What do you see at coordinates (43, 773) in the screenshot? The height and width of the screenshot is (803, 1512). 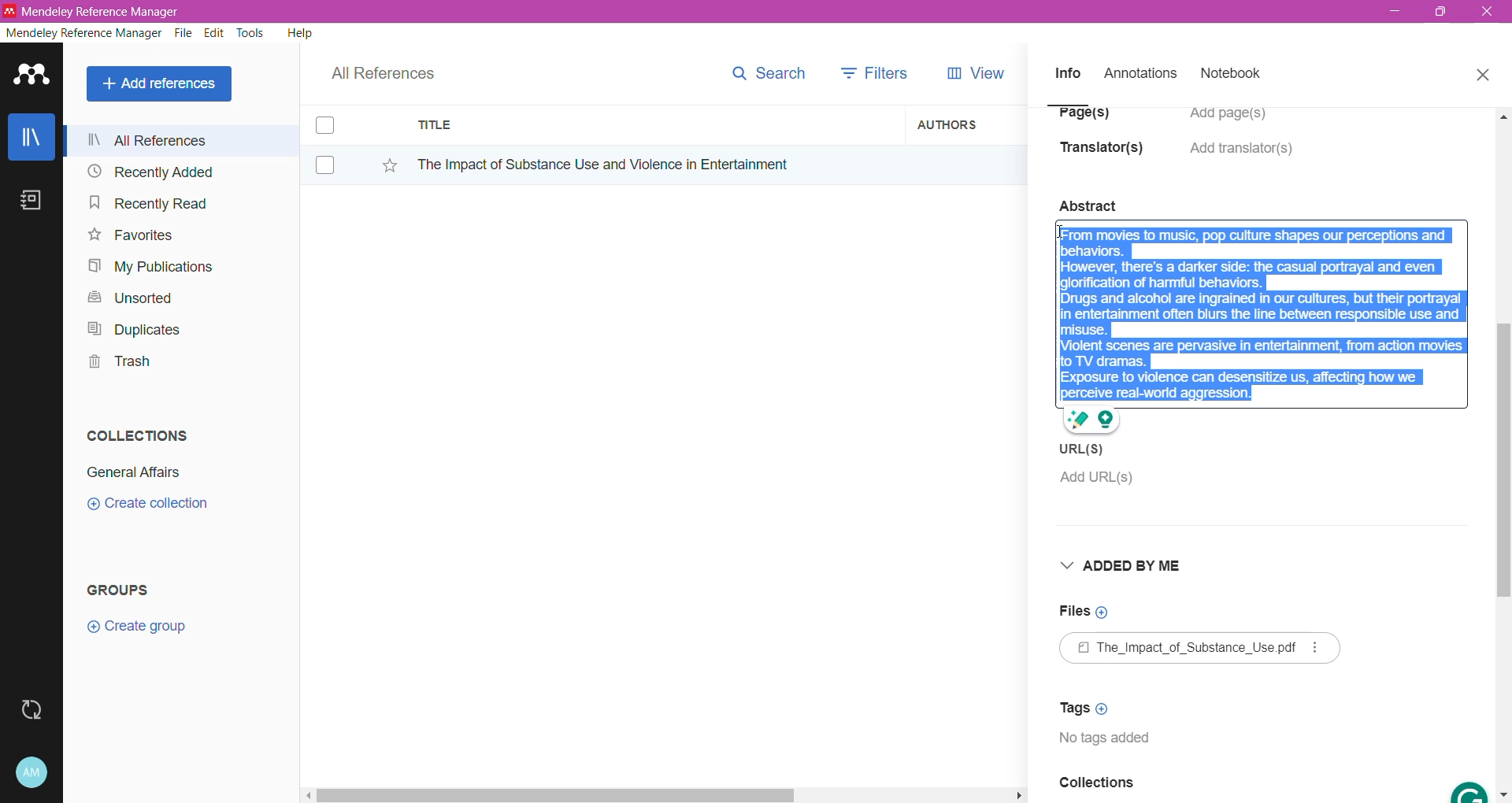 I see `Account and Help` at bounding box center [43, 773].